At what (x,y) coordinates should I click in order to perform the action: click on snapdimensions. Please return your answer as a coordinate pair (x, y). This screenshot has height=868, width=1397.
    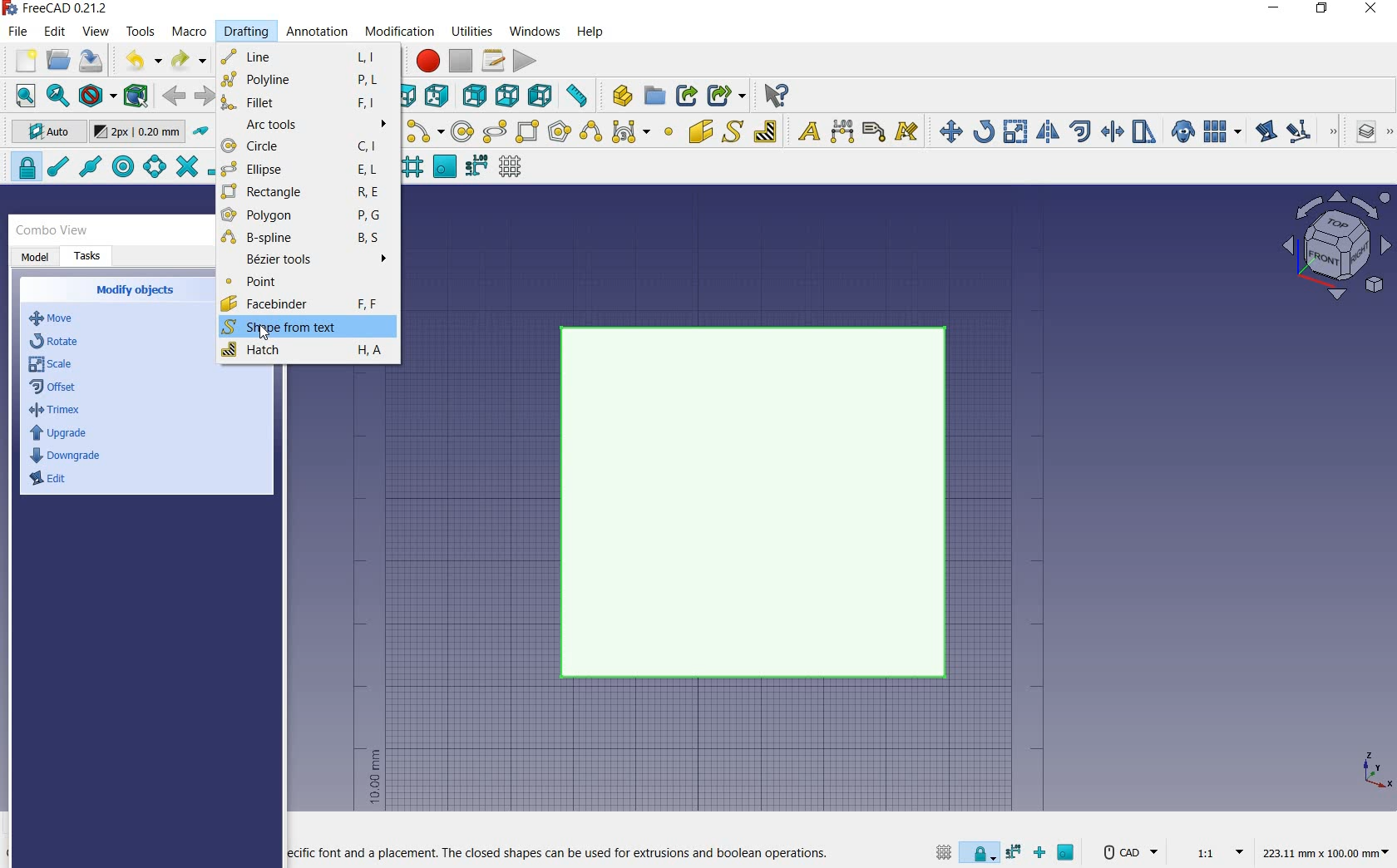
    Looking at the image, I should click on (1016, 852).